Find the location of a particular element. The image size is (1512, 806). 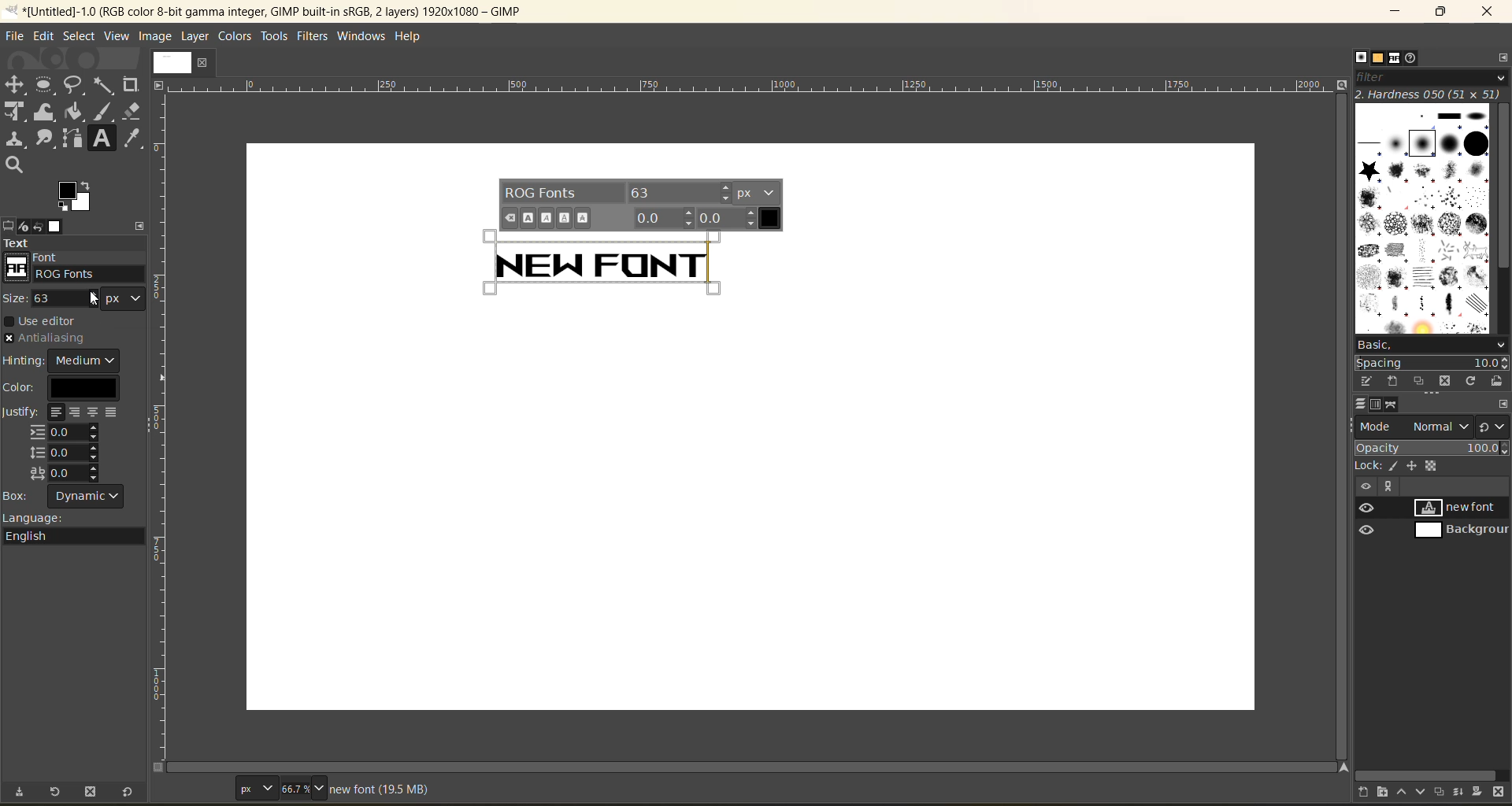

layers is located at coordinates (1361, 405).